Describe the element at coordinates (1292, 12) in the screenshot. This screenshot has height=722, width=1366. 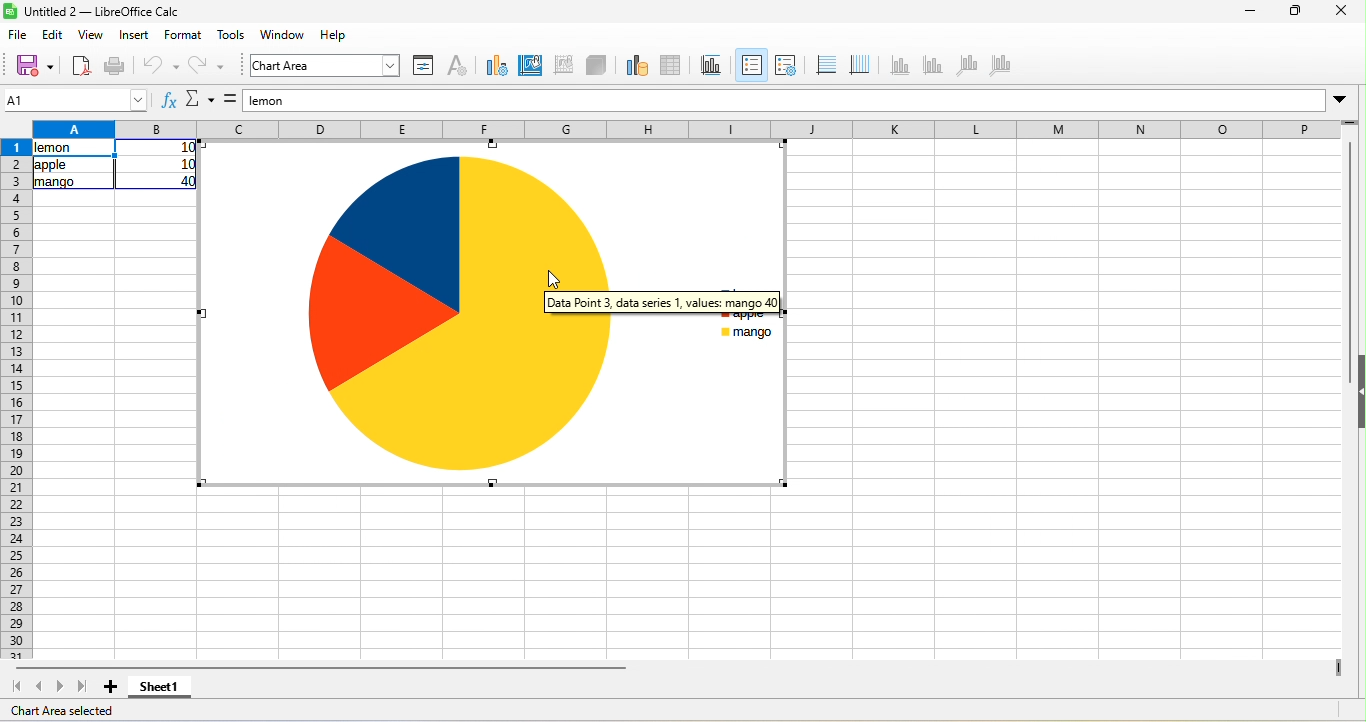
I see `maximize` at that location.